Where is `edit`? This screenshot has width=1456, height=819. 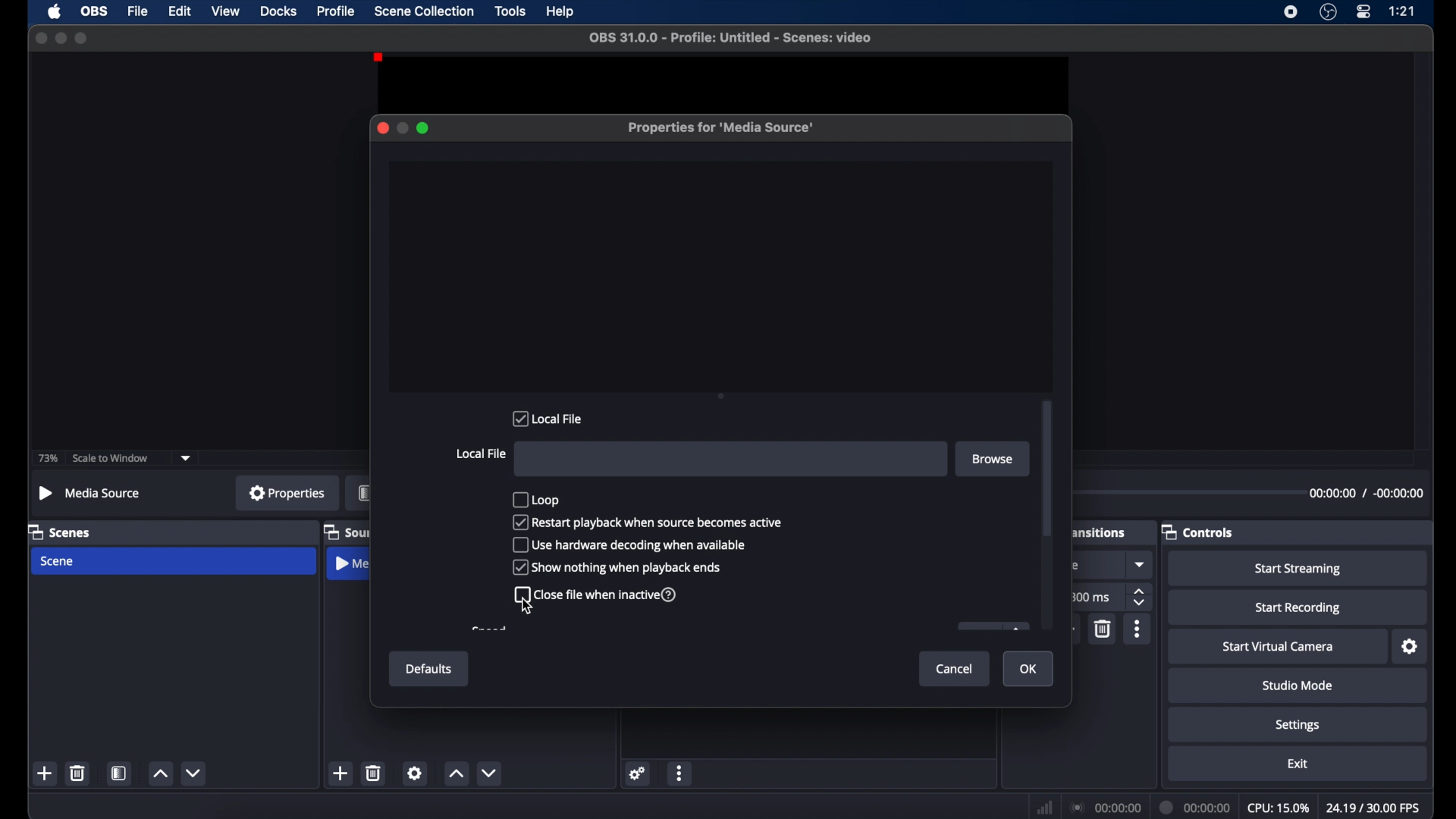 edit is located at coordinates (179, 11).